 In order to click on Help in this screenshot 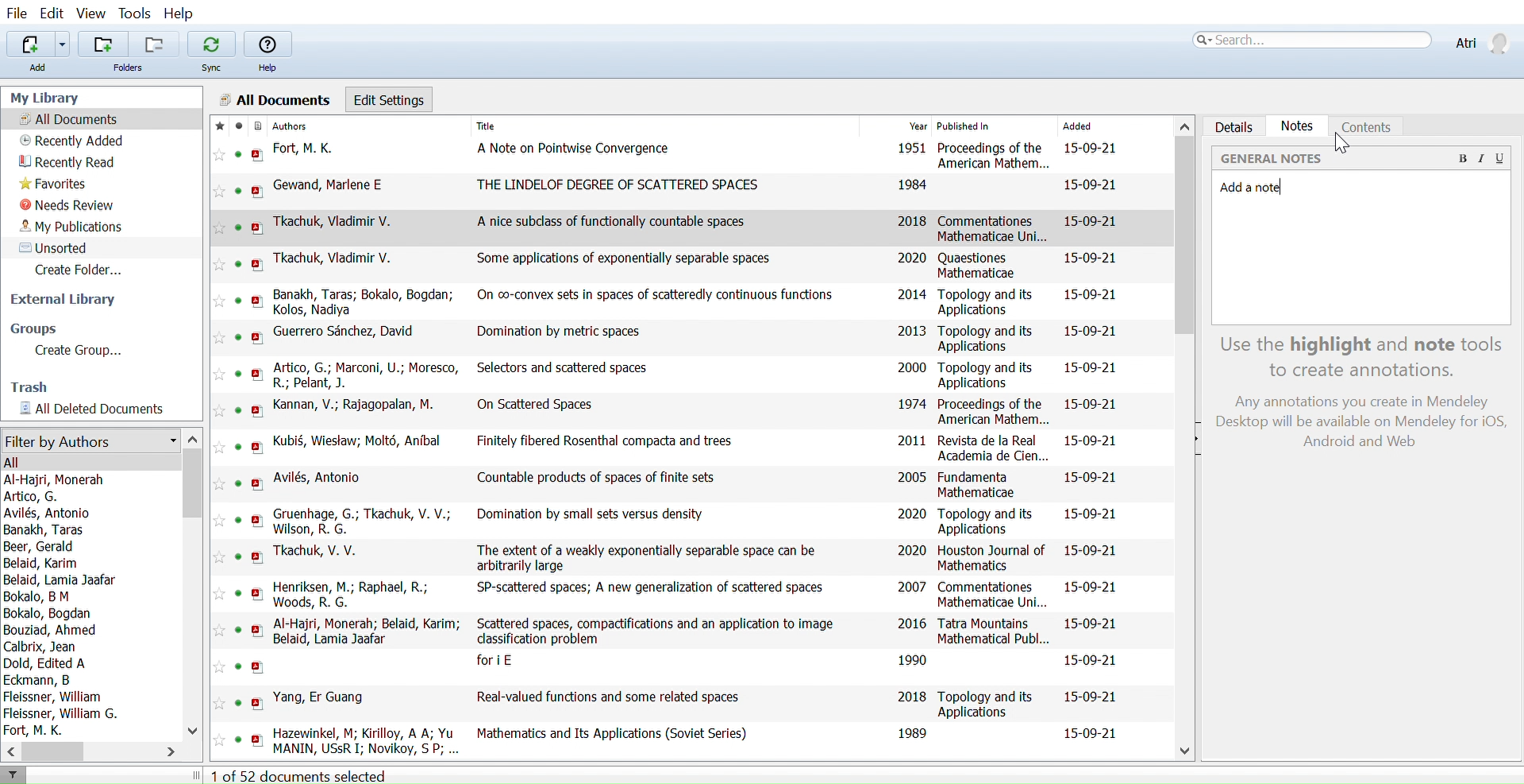, I will do `click(182, 14)`.